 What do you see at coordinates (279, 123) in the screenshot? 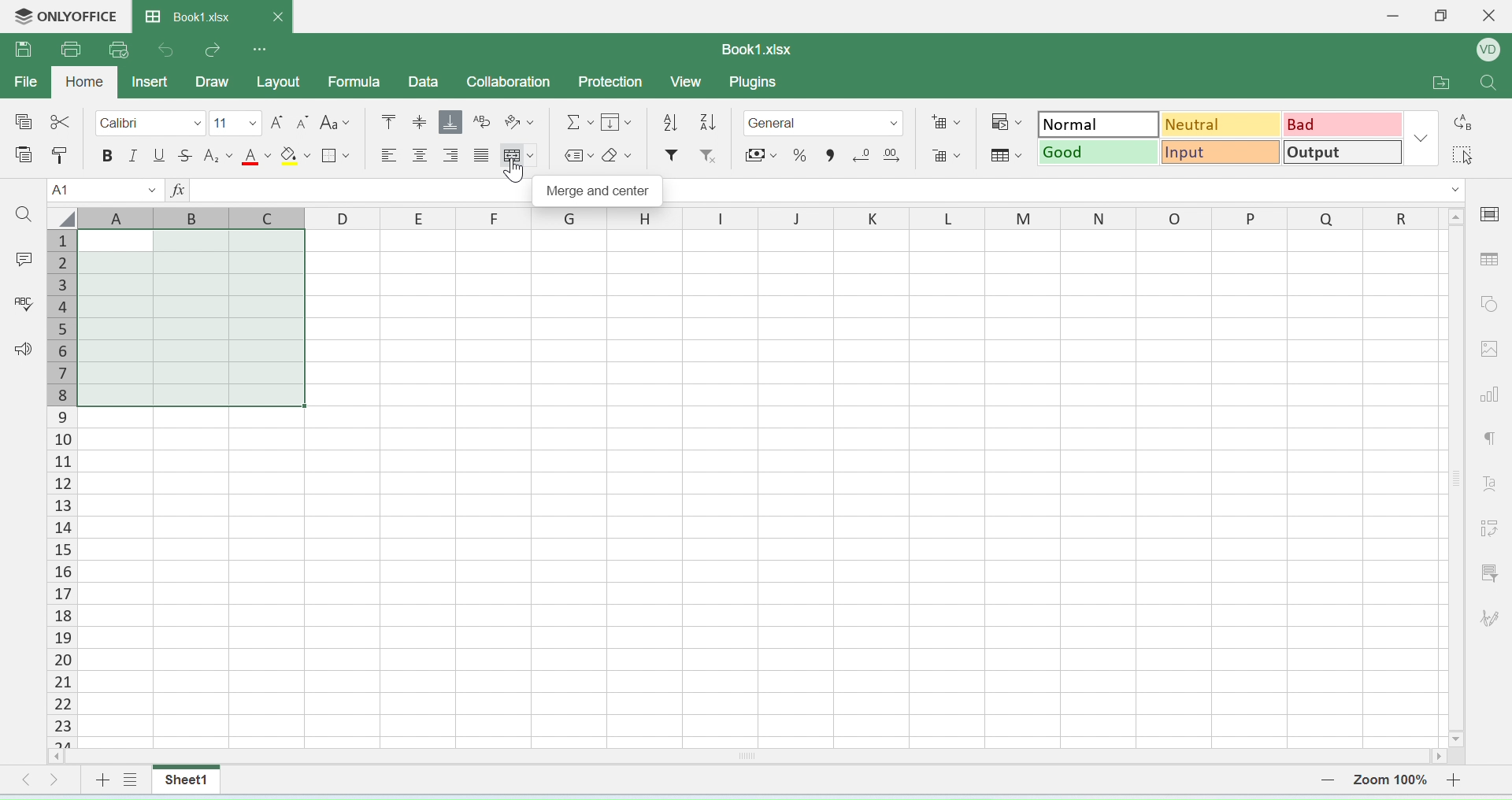
I see `increase font` at bounding box center [279, 123].